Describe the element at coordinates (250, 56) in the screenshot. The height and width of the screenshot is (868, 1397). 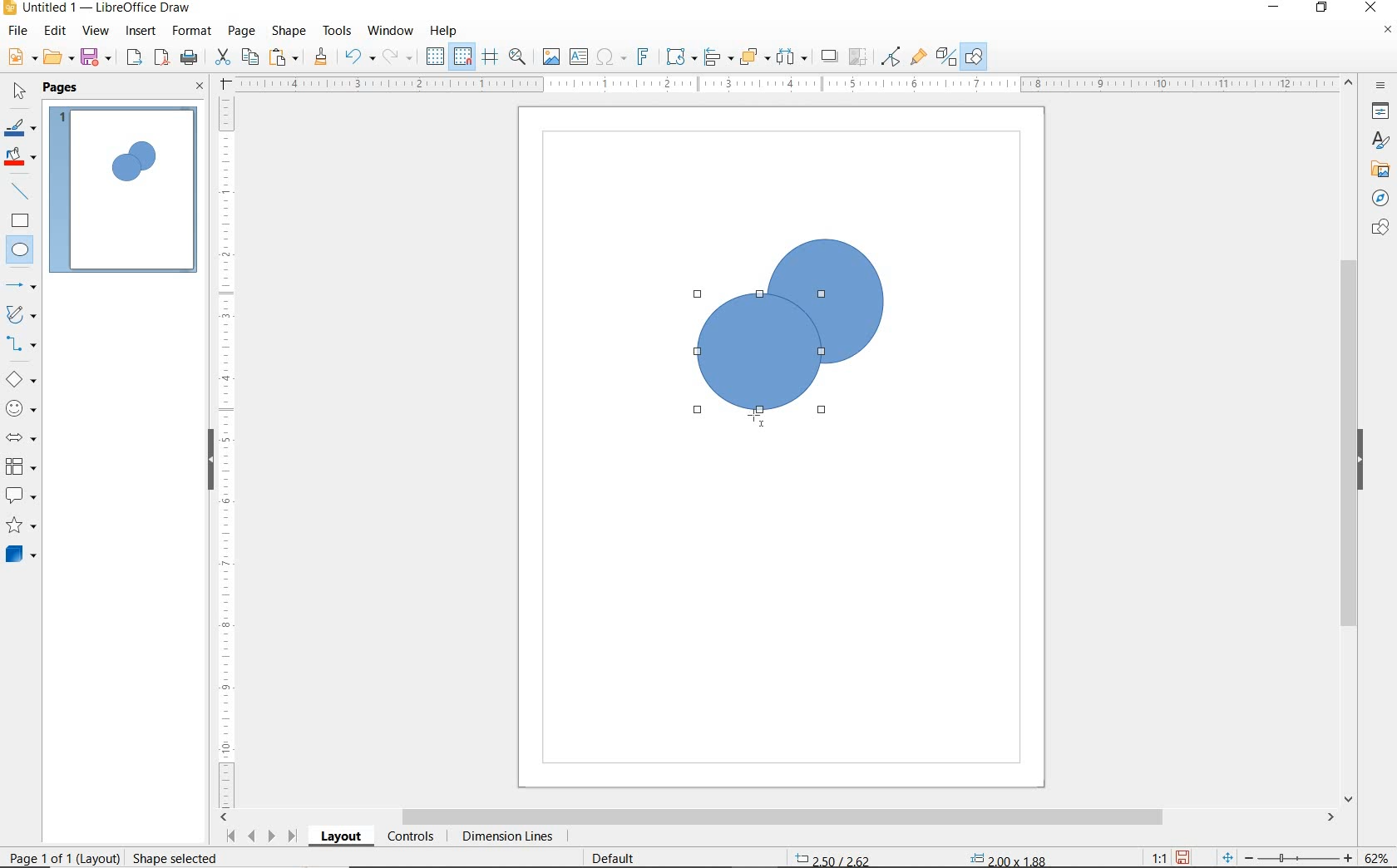
I see `COPY` at that location.